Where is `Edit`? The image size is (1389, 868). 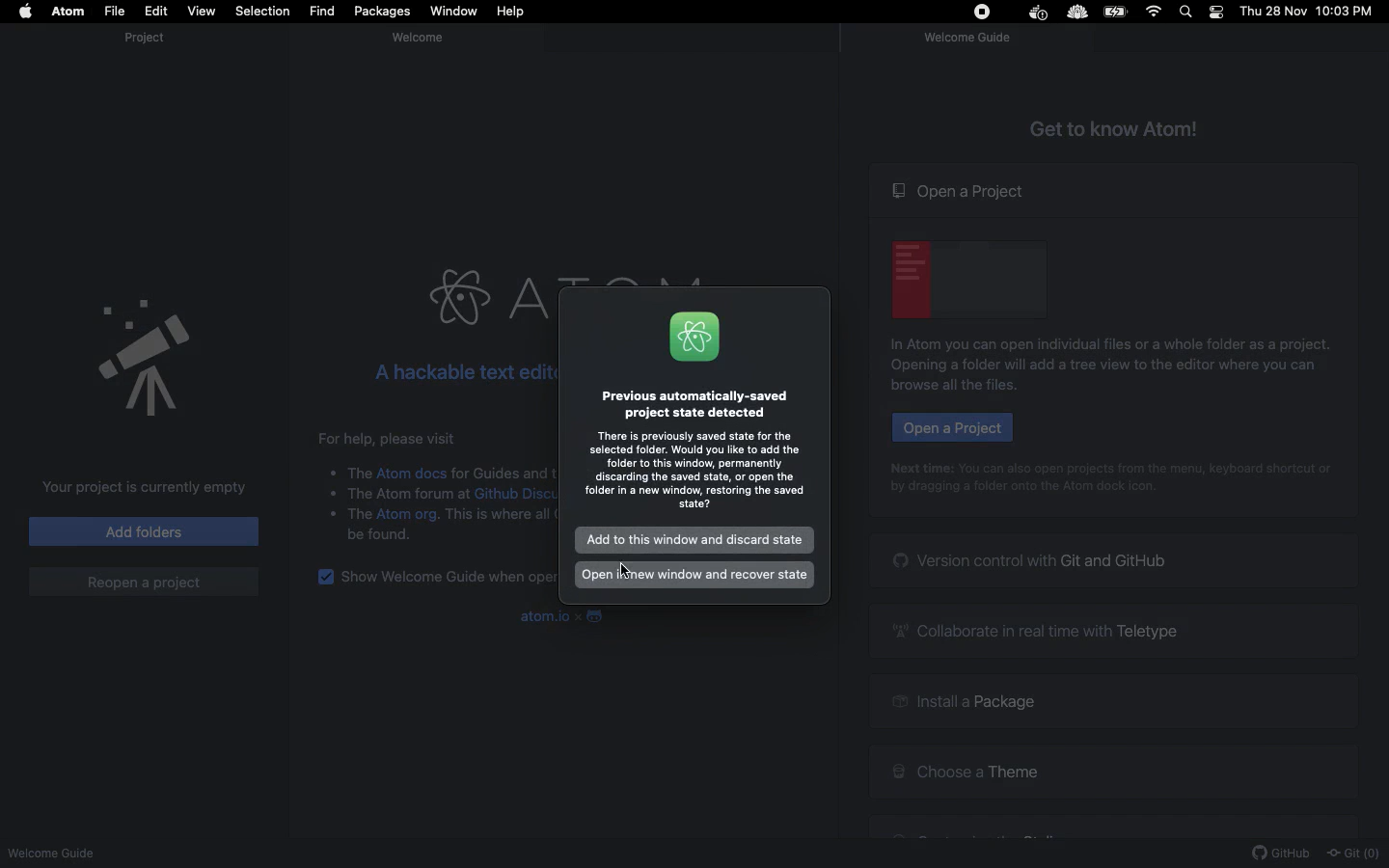
Edit is located at coordinates (157, 12).